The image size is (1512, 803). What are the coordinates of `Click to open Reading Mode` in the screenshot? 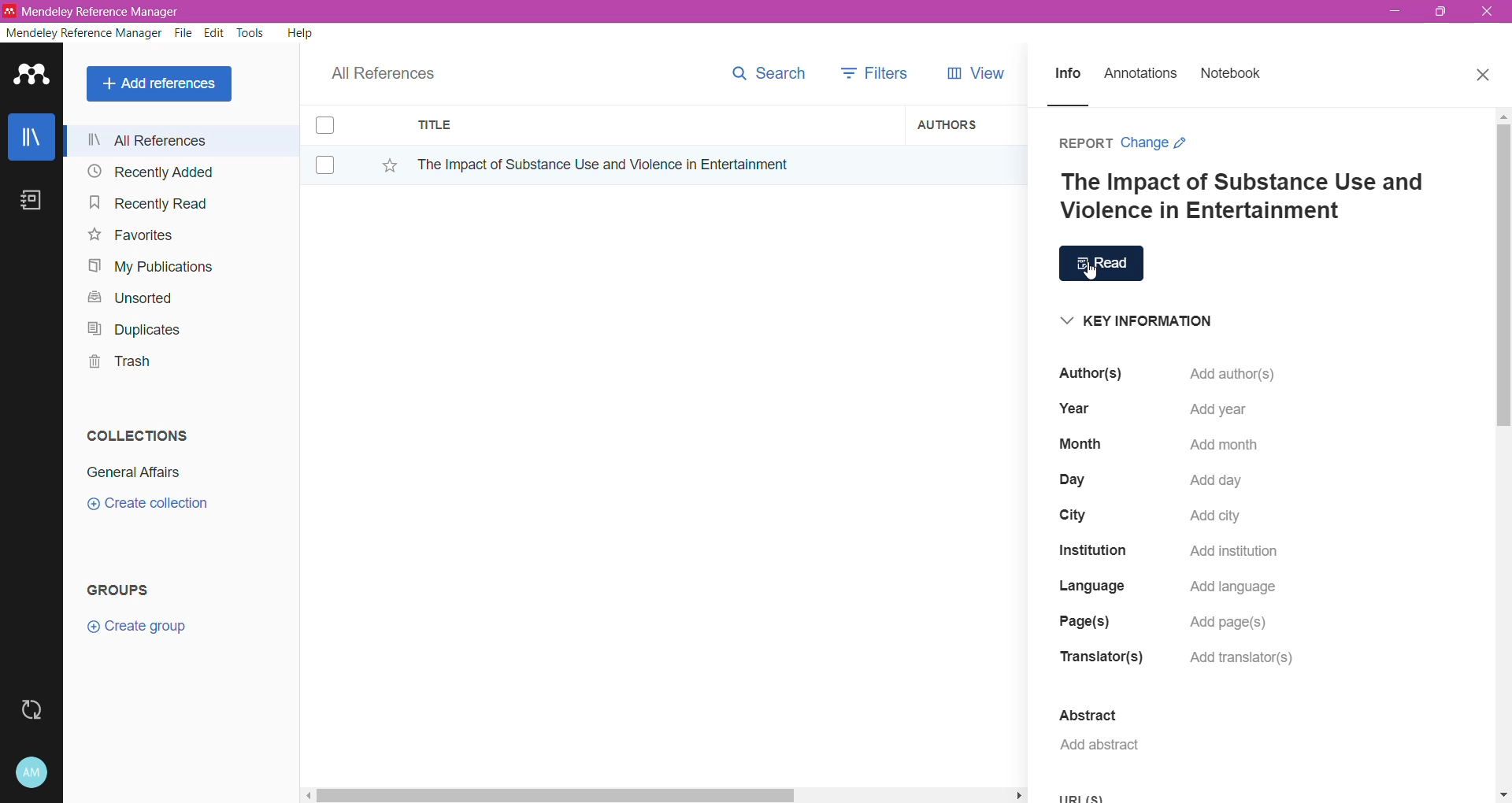 It's located at (1102, 263).